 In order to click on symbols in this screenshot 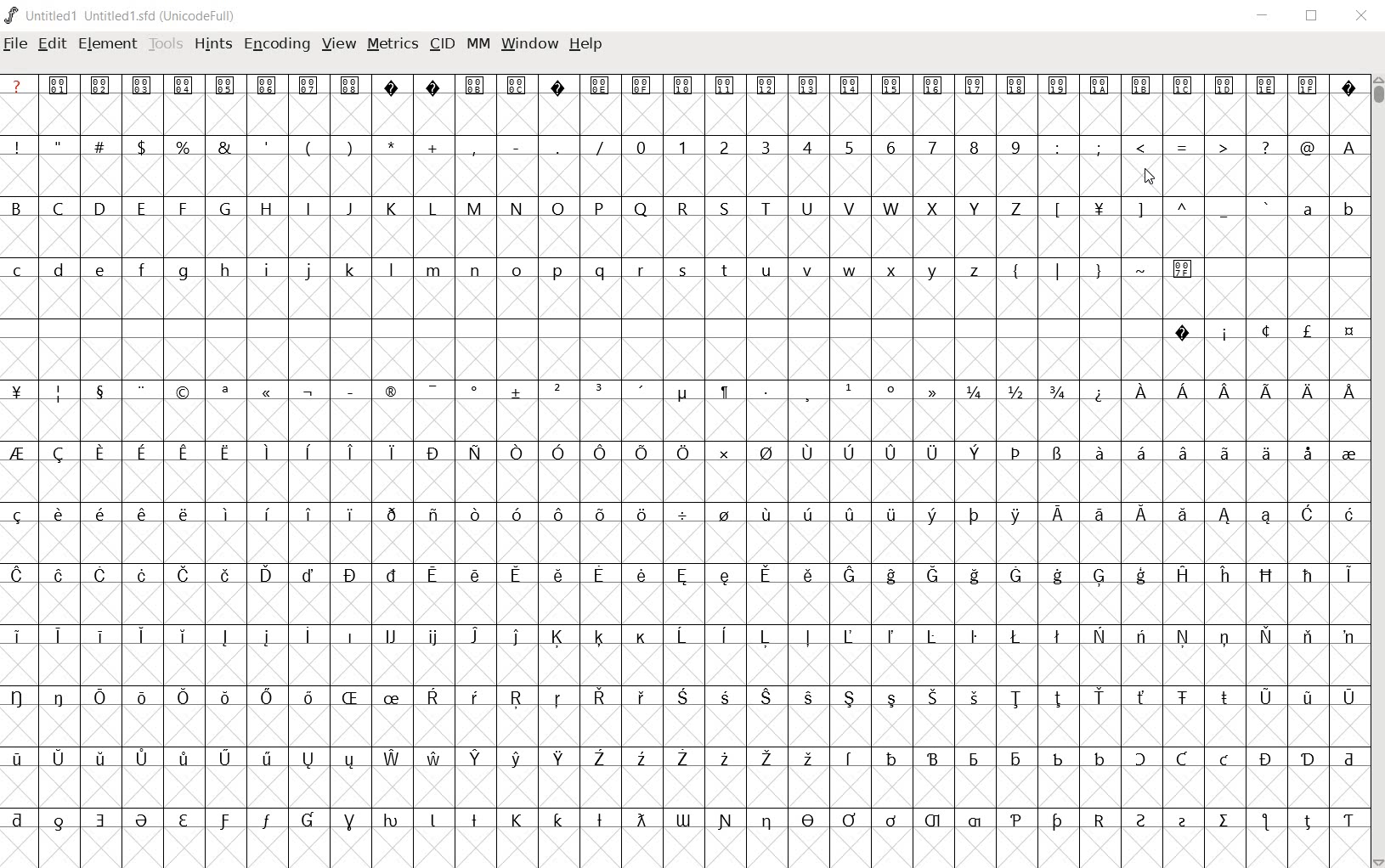, I will do `click(309, 146)`.